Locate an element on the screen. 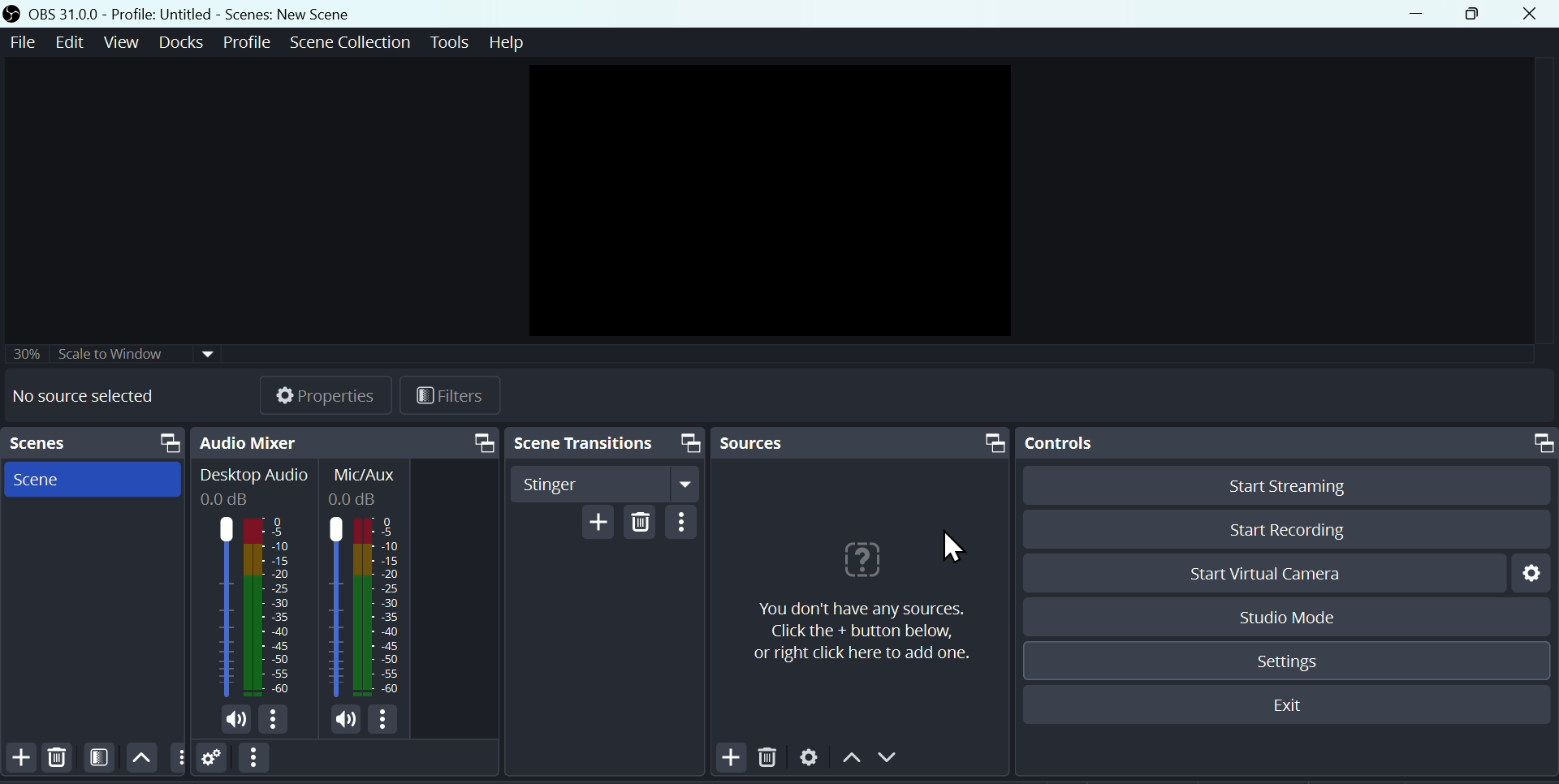 The image size is (1559, 784). tools is located at coordinates (447, 41).